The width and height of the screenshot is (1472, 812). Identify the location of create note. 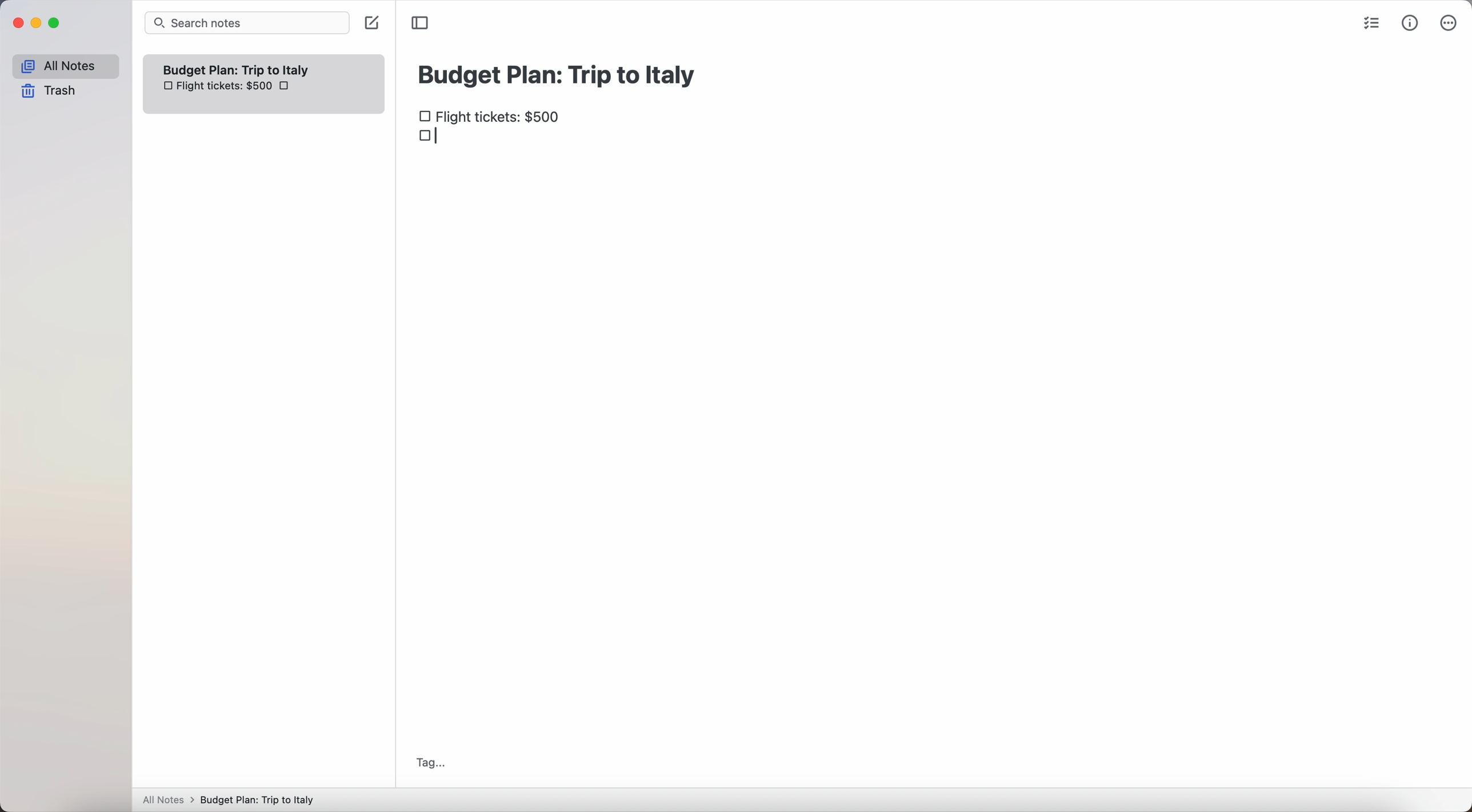
(371, 24).